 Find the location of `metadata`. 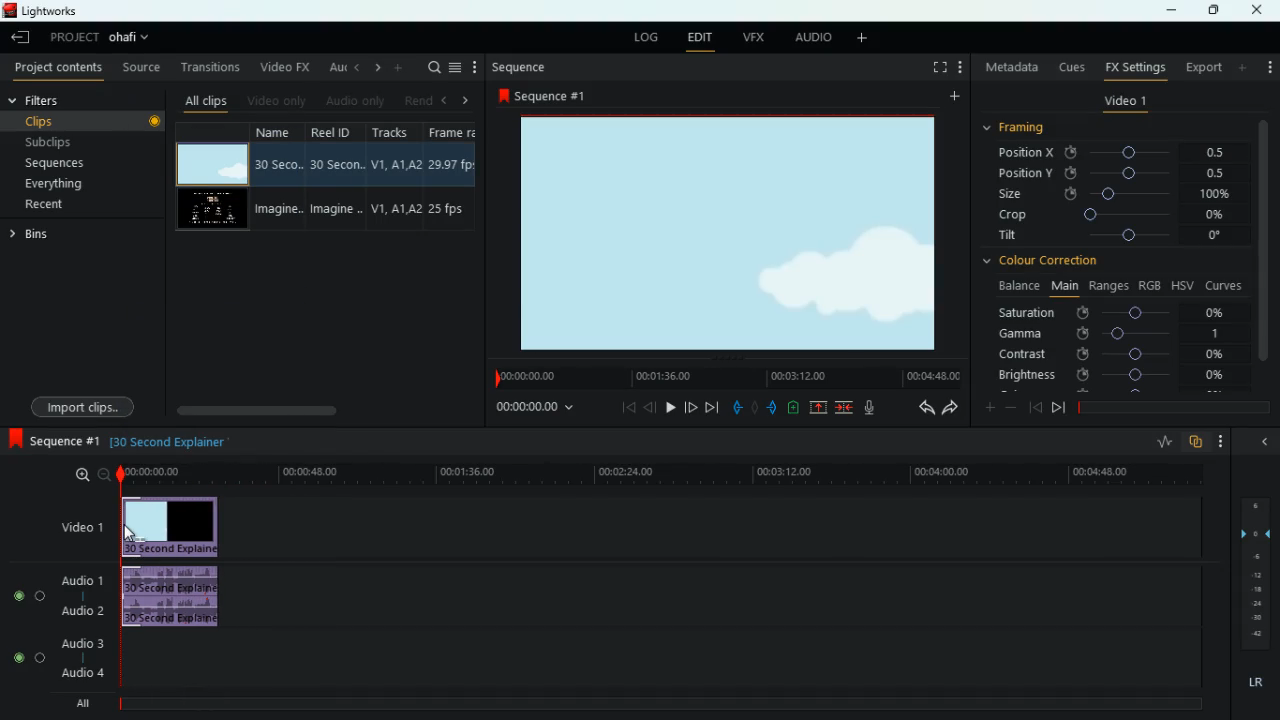

metadata is located at coordinates (1008, 66).